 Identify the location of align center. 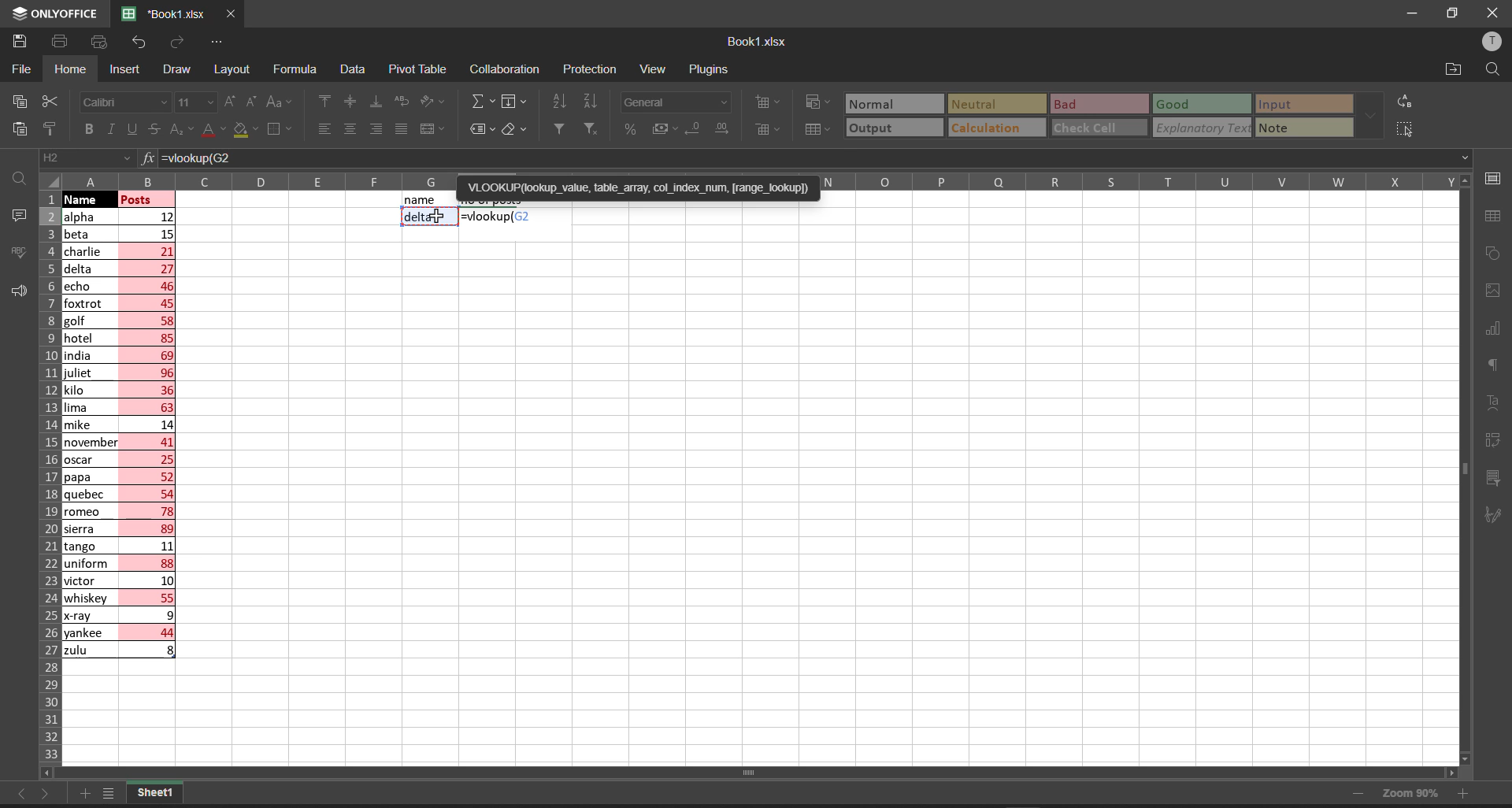
(349, 102).